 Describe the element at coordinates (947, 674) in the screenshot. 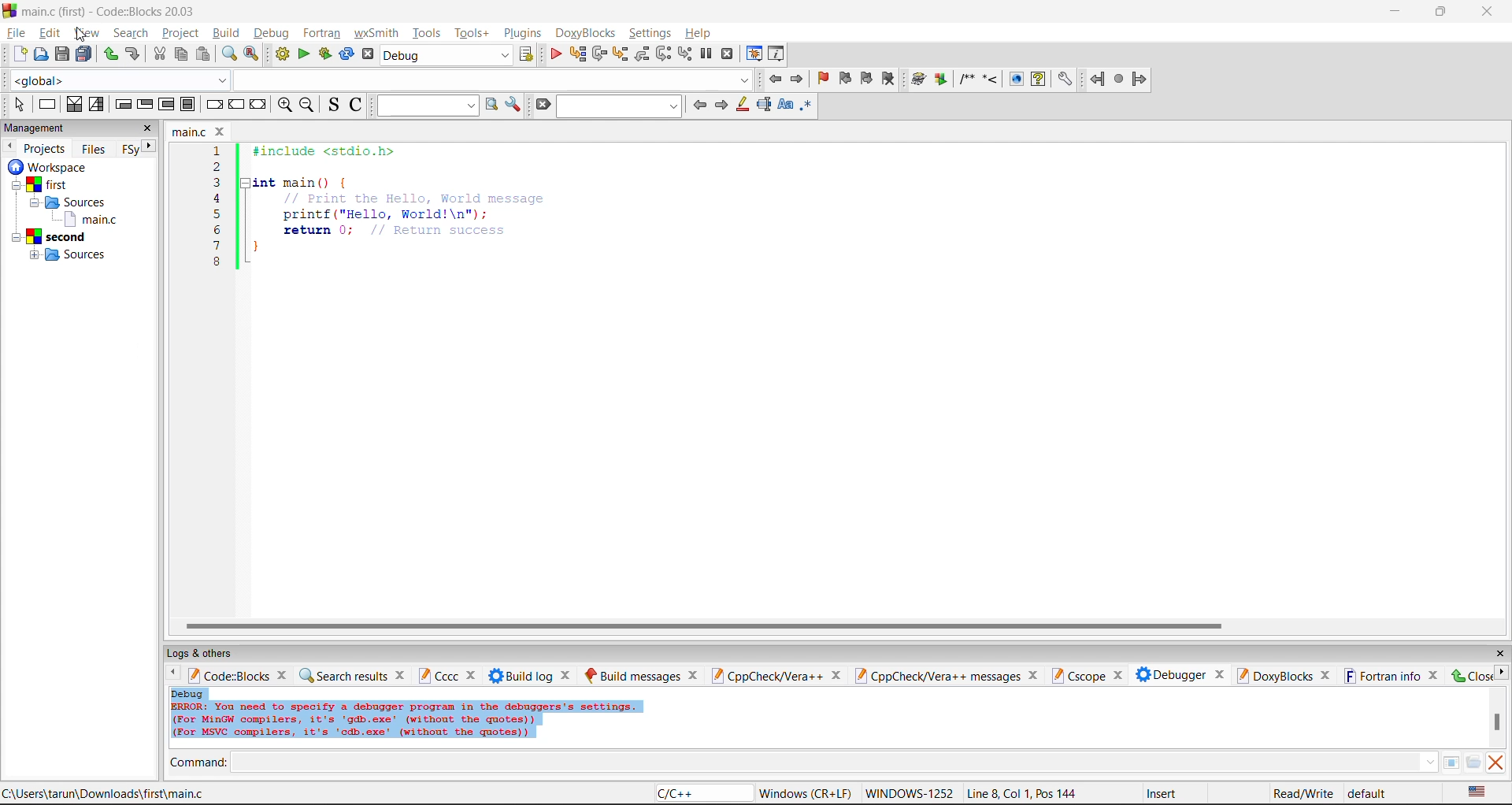

I see `cppcheck/vera++messages` at that location.